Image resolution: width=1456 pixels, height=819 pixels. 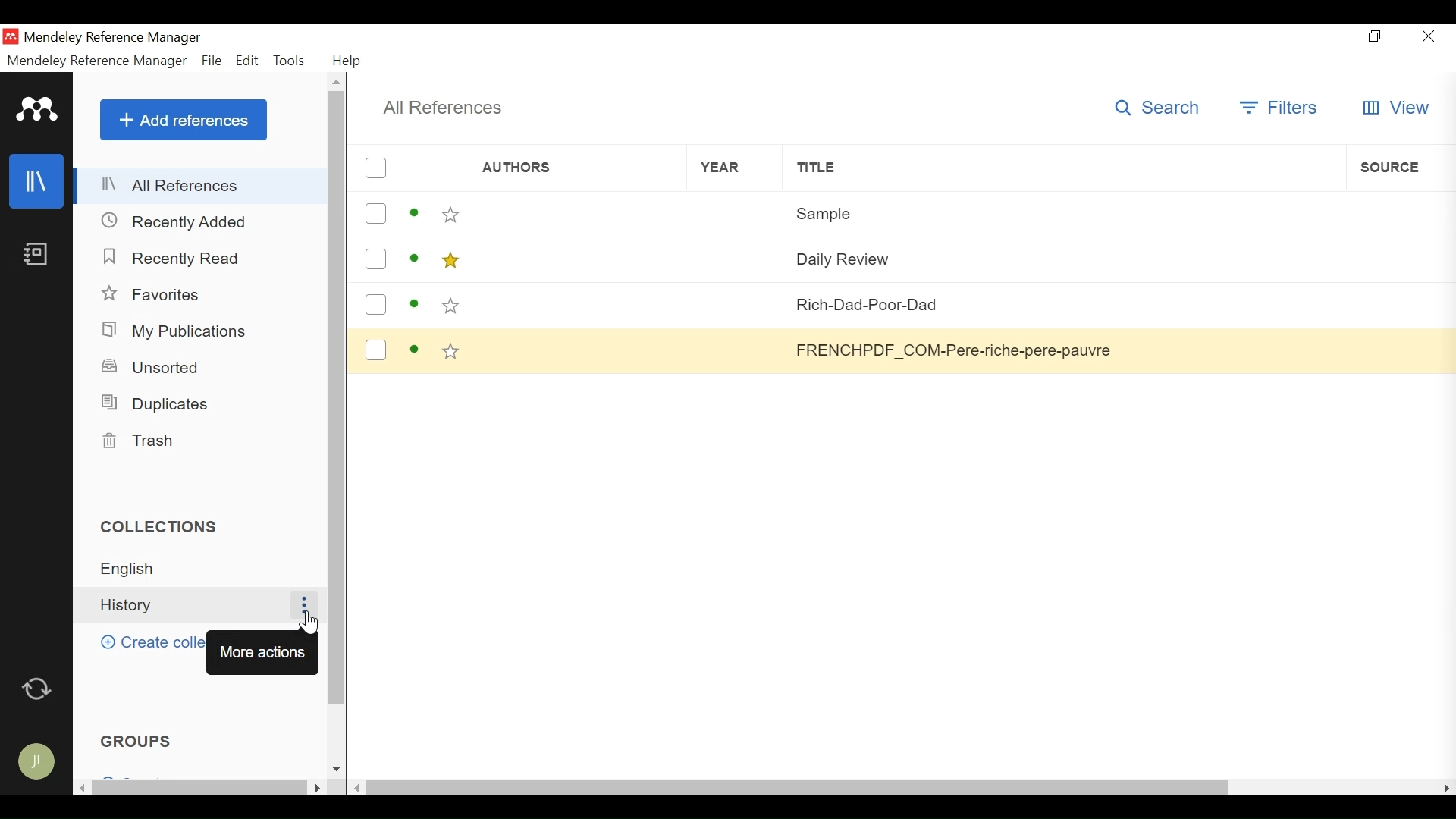 I want to click on (un)select, so click(x=375, y=304).